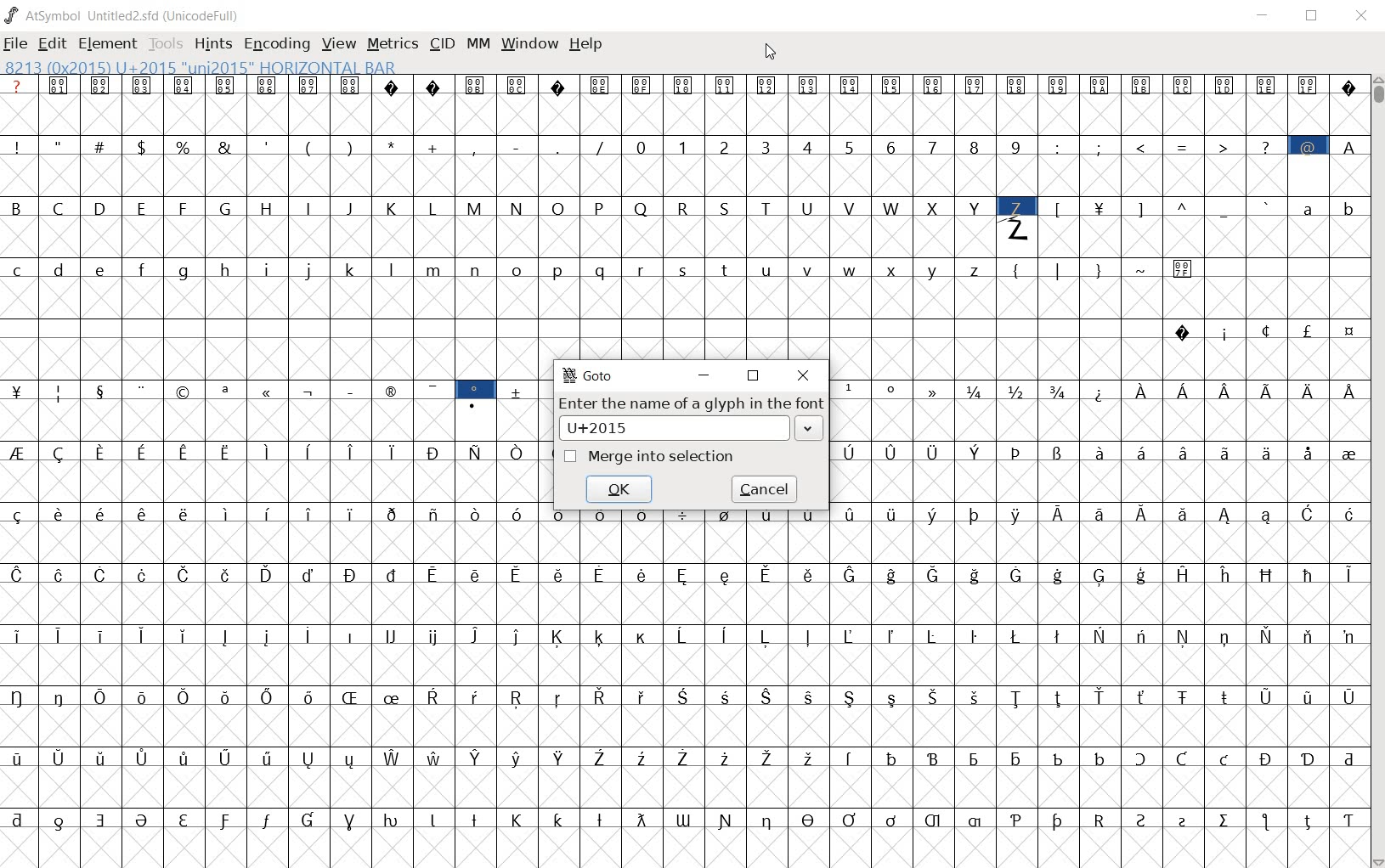 This screenshot has width=1385, height=868. What do you see at coordinates (215, 44) in the screenshot?
I see `HINTS` at bounding box center [215, 44].